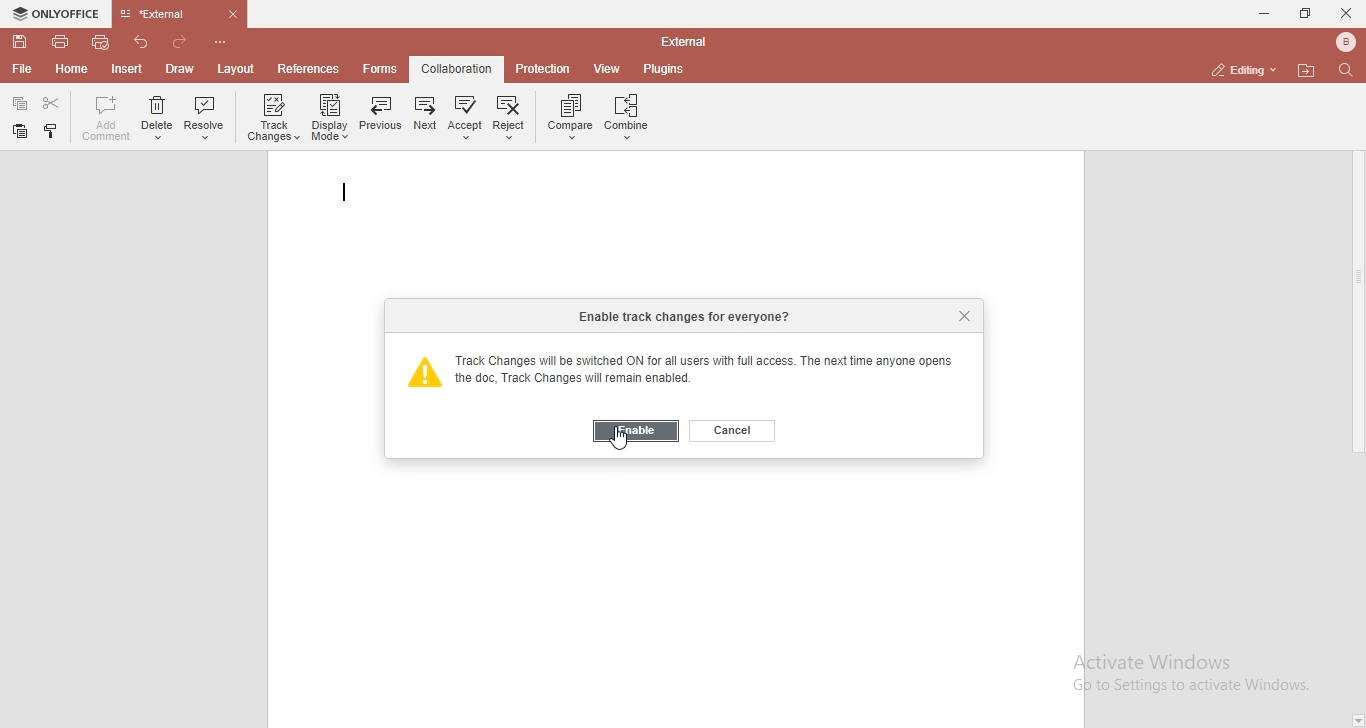  I want to click on delete, so click(156, 121).